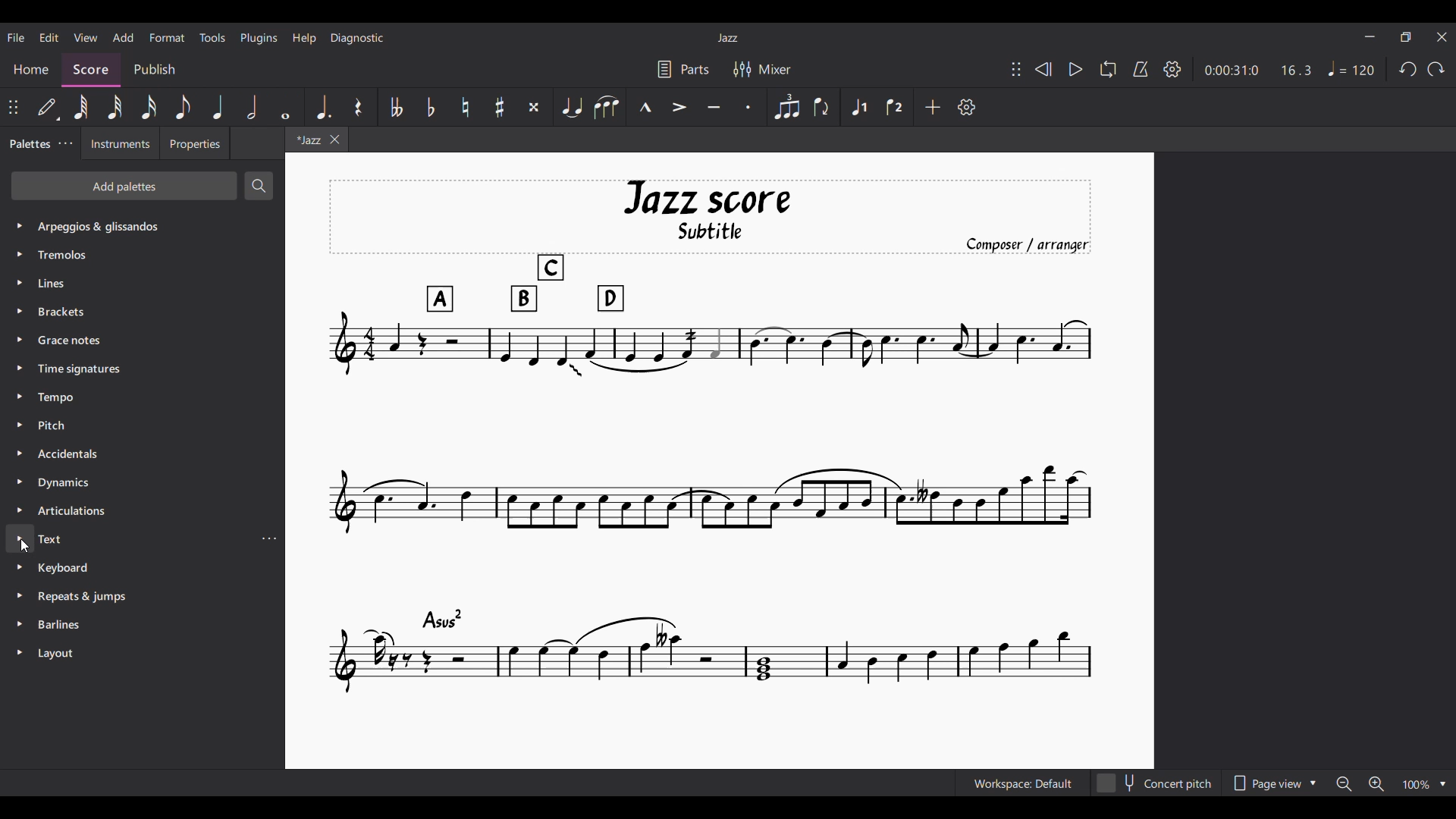 The image size is (1456, 819). What do you see at coordinates (193, 146) in the screenshot?
I see `Properties` at bounding box center [193, 146].